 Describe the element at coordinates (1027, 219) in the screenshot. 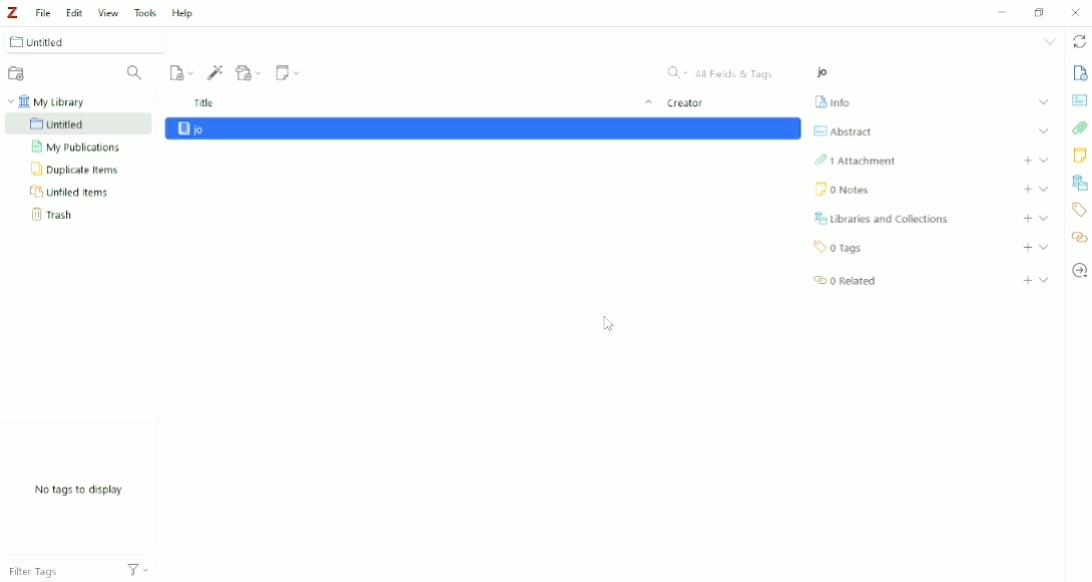

I see `Add` at that location.